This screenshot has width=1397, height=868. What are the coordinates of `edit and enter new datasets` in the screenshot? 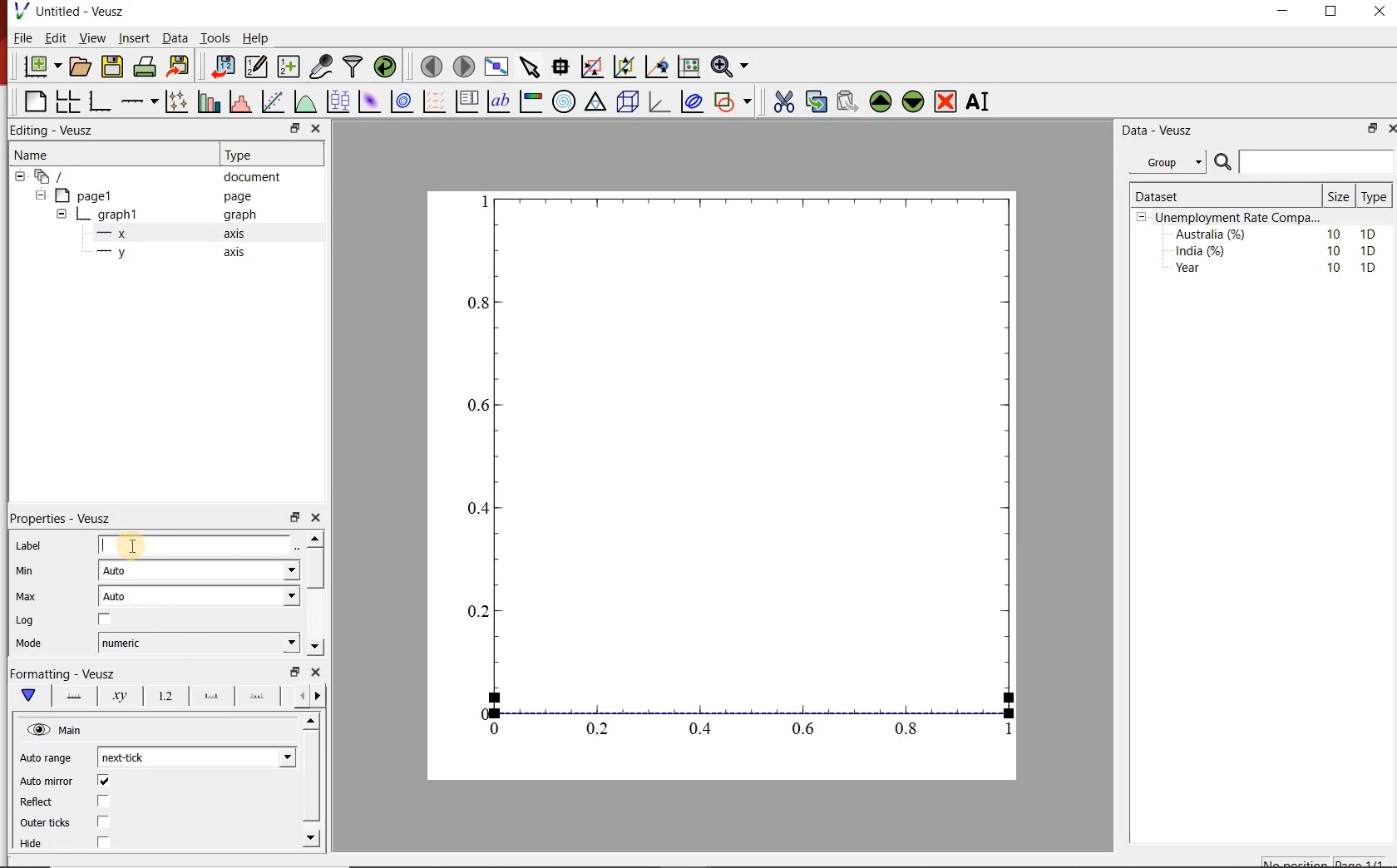 It's located at (258, 65).